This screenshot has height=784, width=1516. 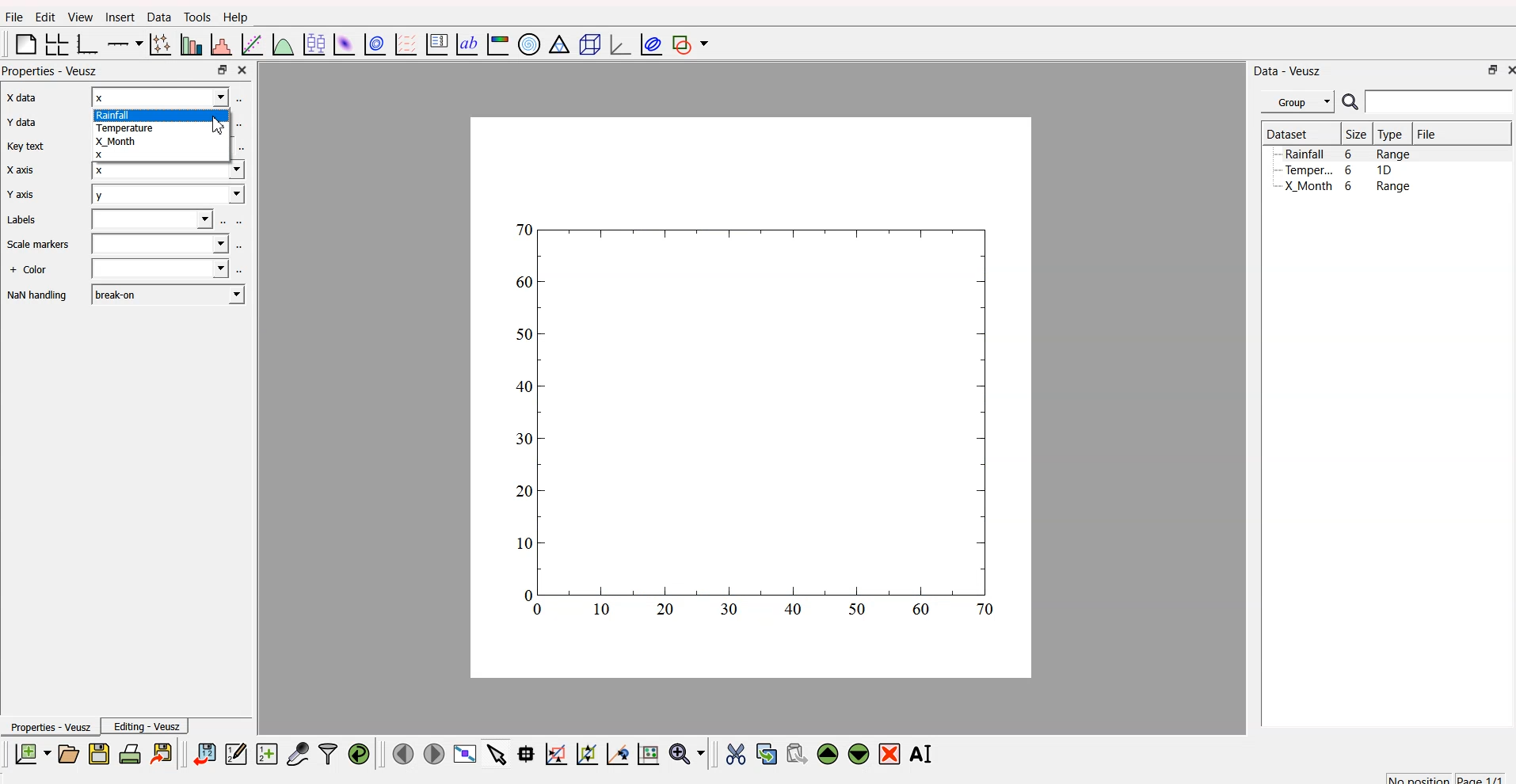 What do you see at coordinates (252, 45) in the screenshot?
I see `fit function to data` at bounding box center [252, 45].